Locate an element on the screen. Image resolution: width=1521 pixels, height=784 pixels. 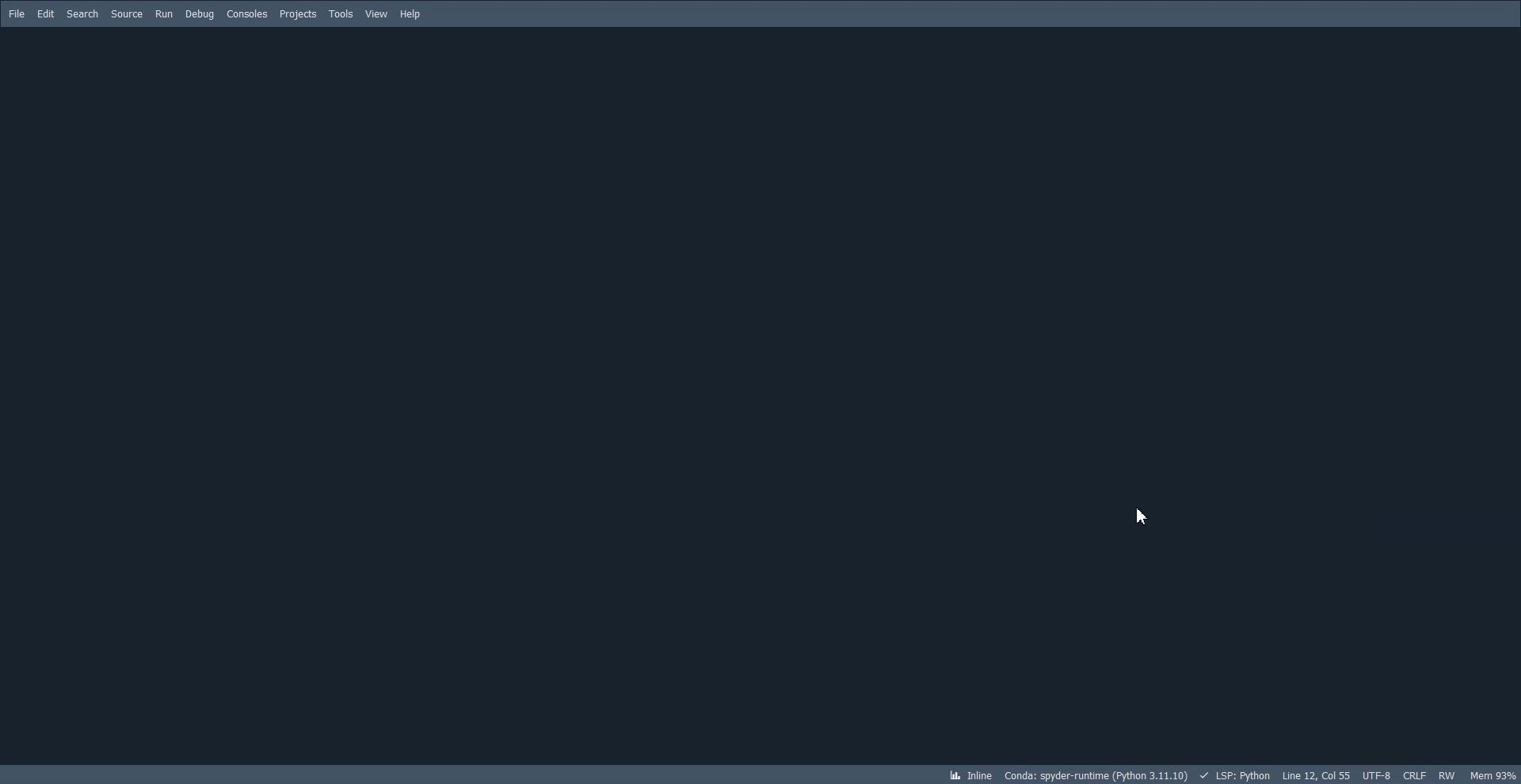
Consoles is located at coordinates (247, 13).